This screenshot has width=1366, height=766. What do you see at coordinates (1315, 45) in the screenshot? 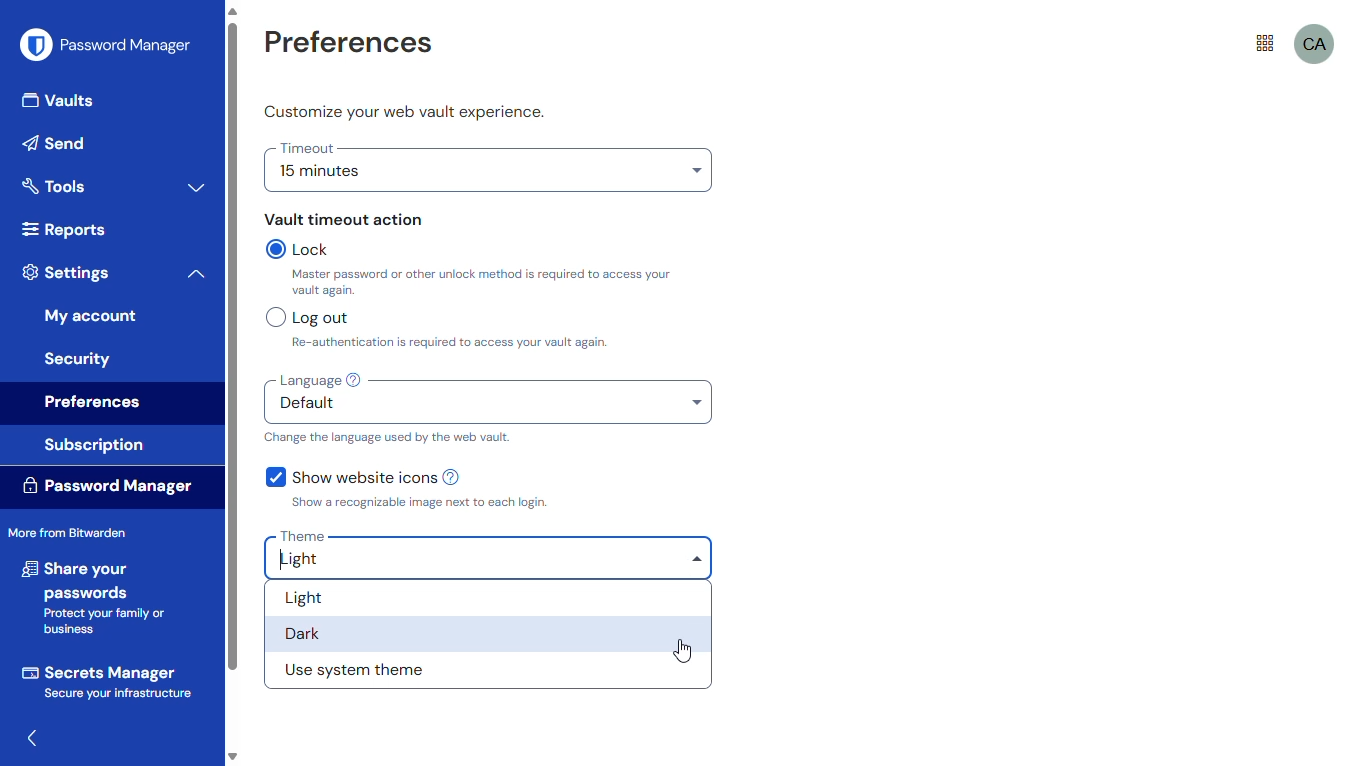
I see `CA` at bounding box center [1315, 45].